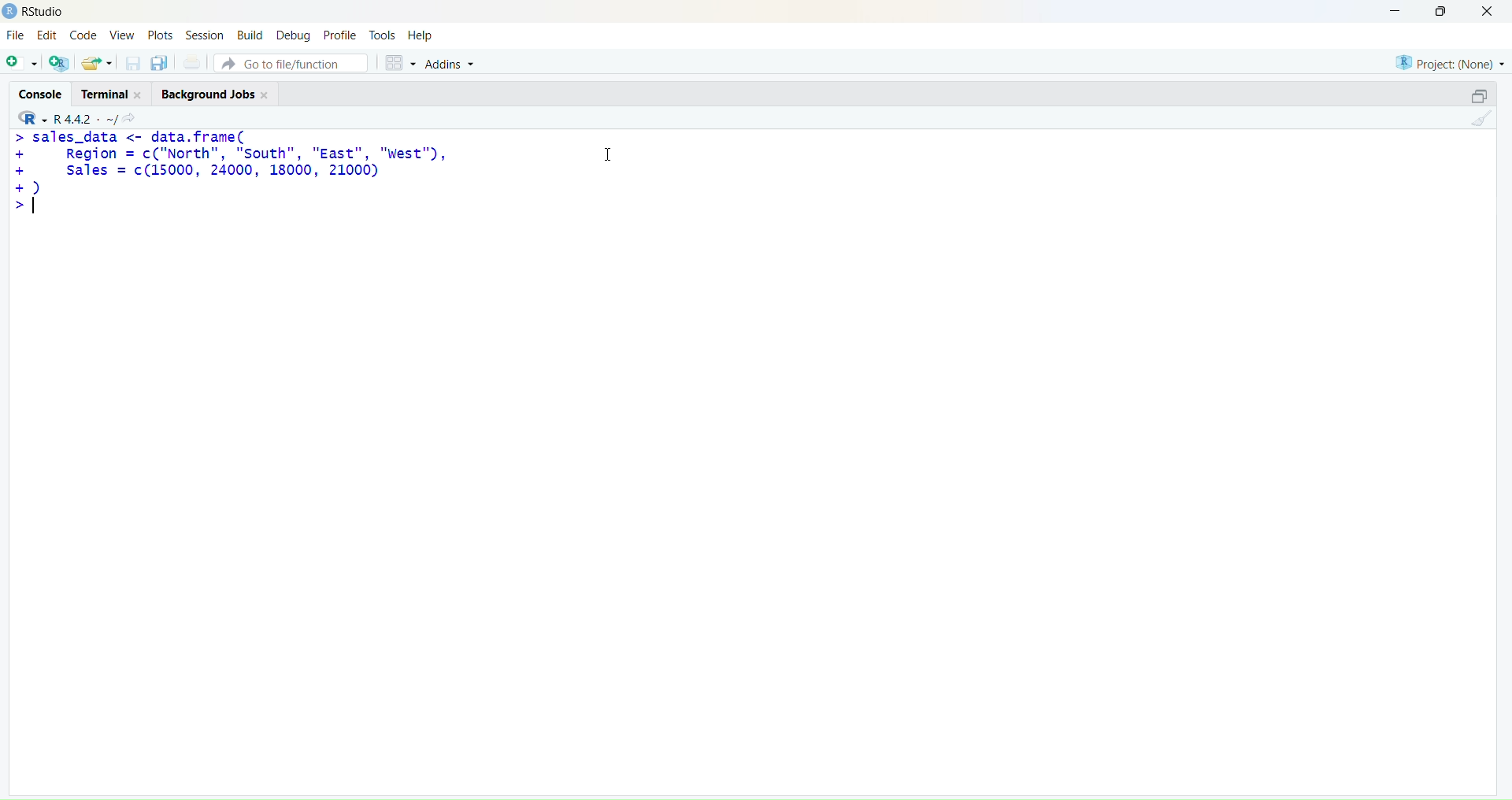 The width and height of the screenshot is (1512, 800). I want to click on tools, so click(382, 35).